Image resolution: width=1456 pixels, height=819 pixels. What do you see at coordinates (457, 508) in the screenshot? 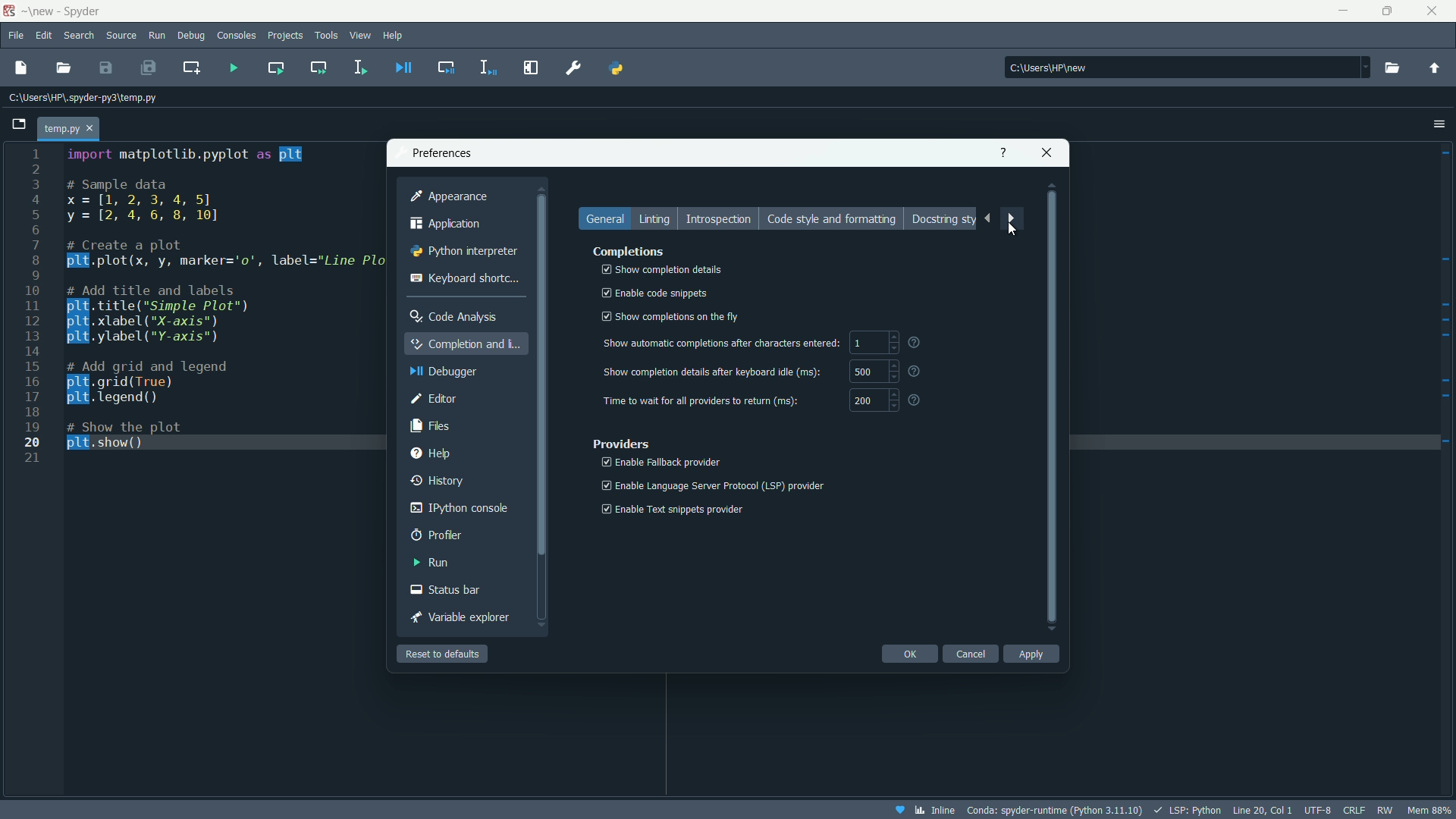
I see `ipython console` at bounding box center [457, 508].